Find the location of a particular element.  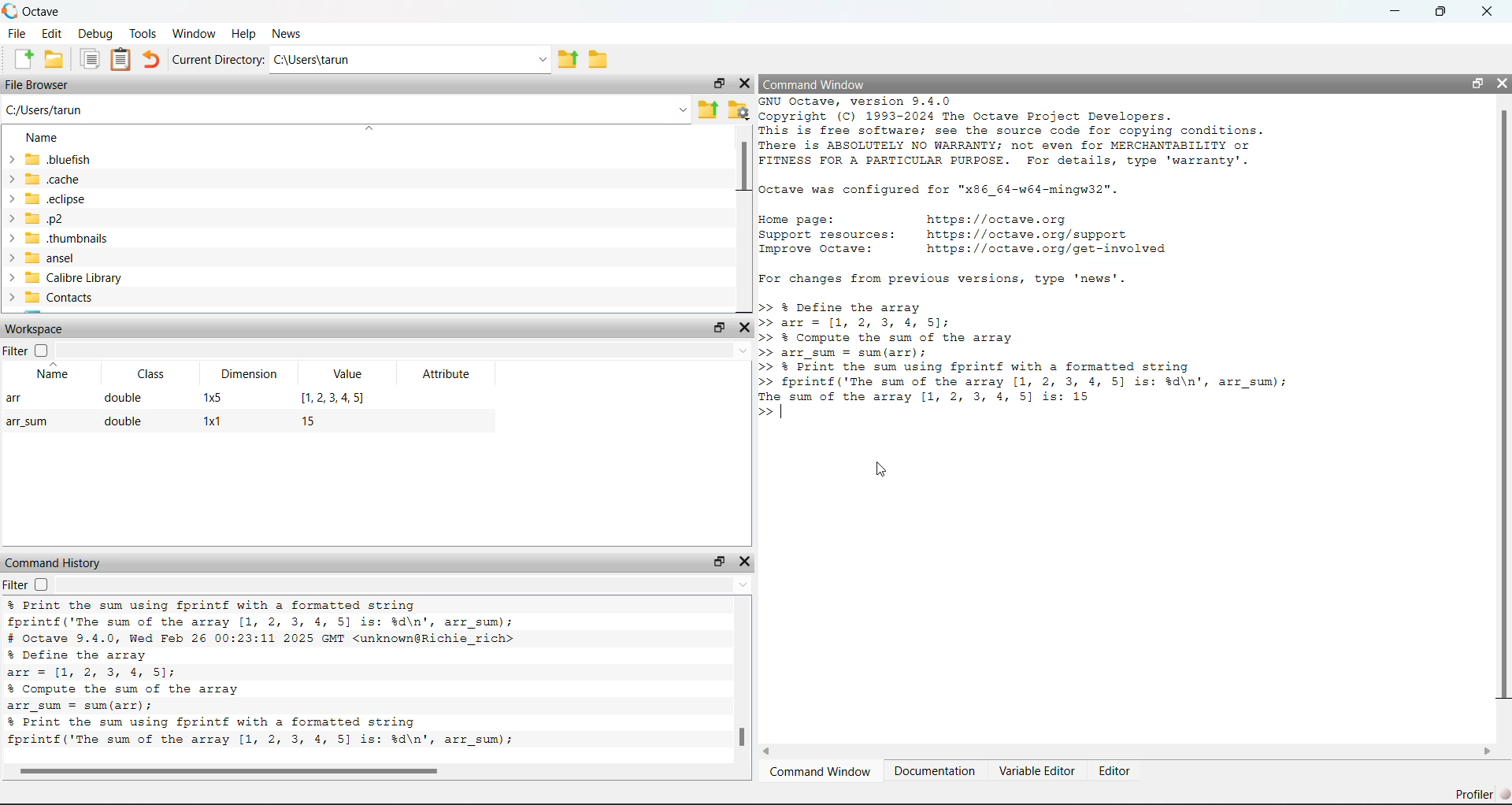

C:/Users/tarun  is located at coordinates (346, 109).